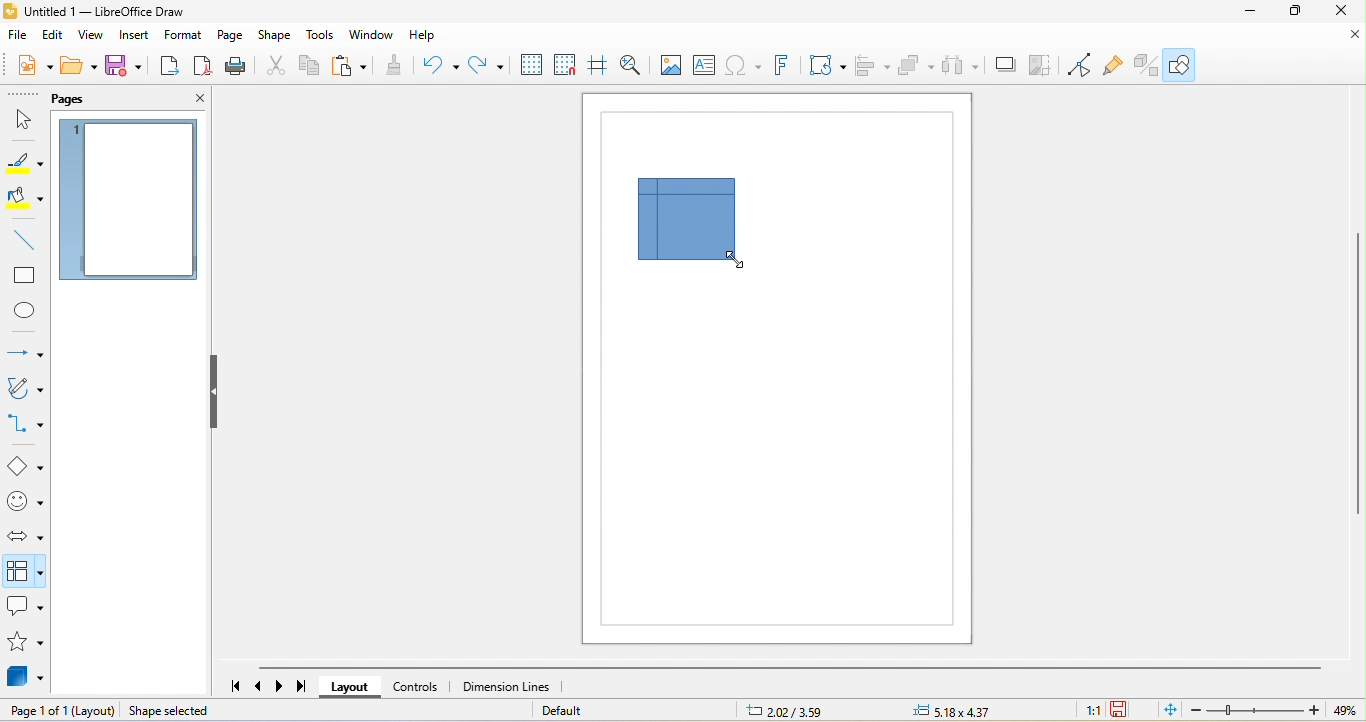  Describe the element at coordinates (38, 711) in the screenshot. I see `page 1 of 1` at that location.